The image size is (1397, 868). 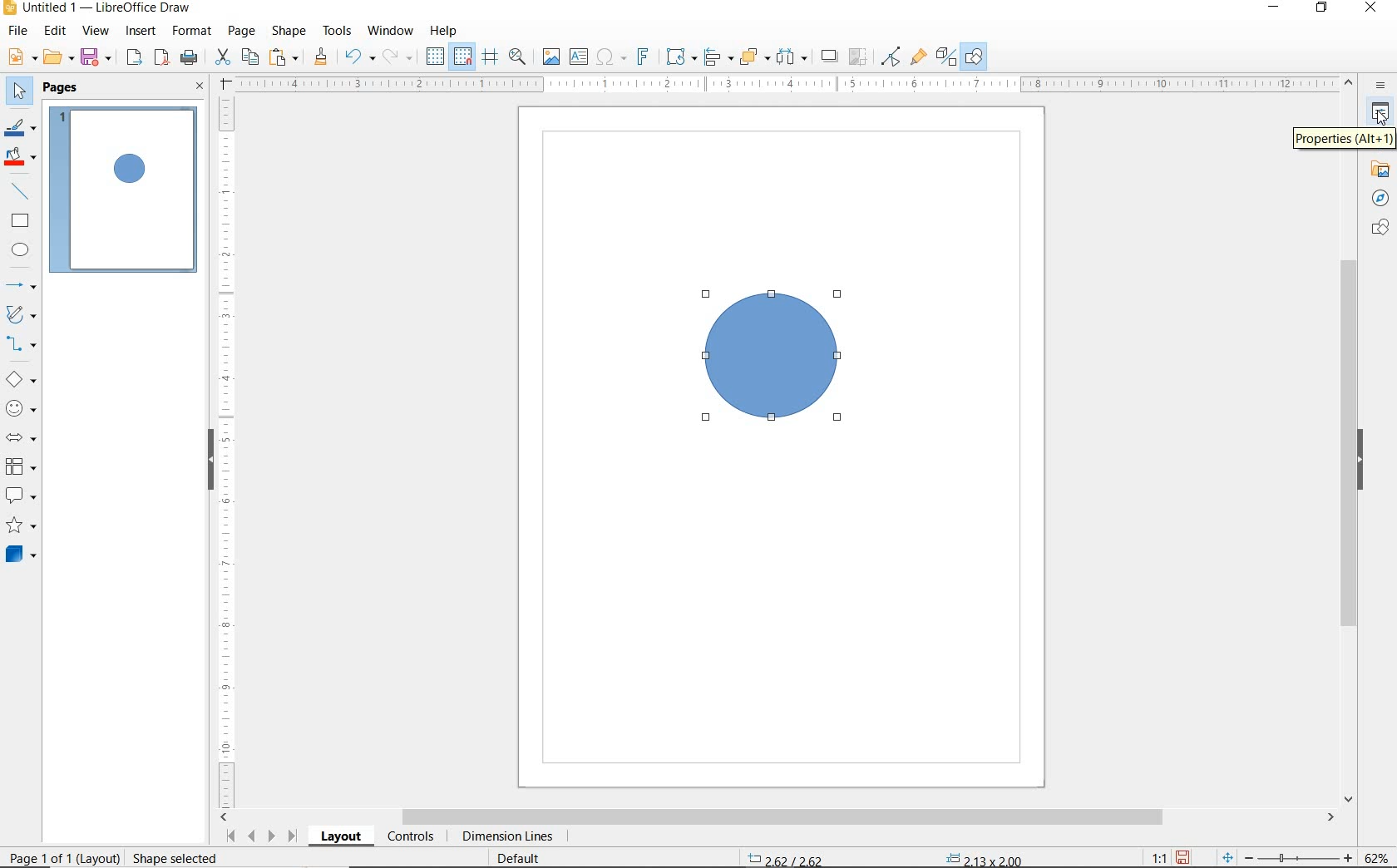 What do you see at coordinates (23, 378) in the screenshot?
I see `BASIC SHAPES` at bounding box center [23, 378].